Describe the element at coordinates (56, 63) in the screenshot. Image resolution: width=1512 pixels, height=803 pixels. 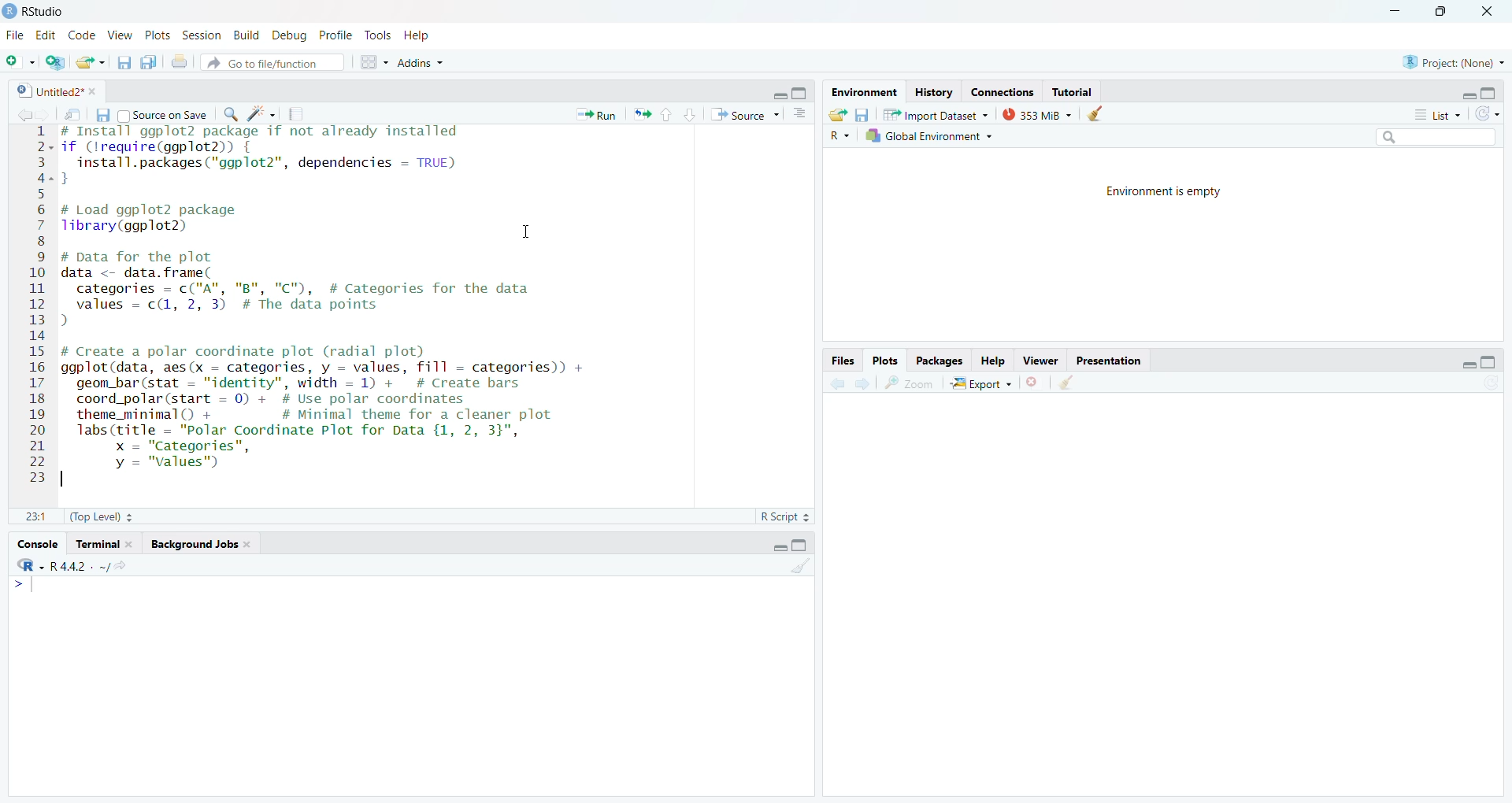
I see `create a project` at that location.